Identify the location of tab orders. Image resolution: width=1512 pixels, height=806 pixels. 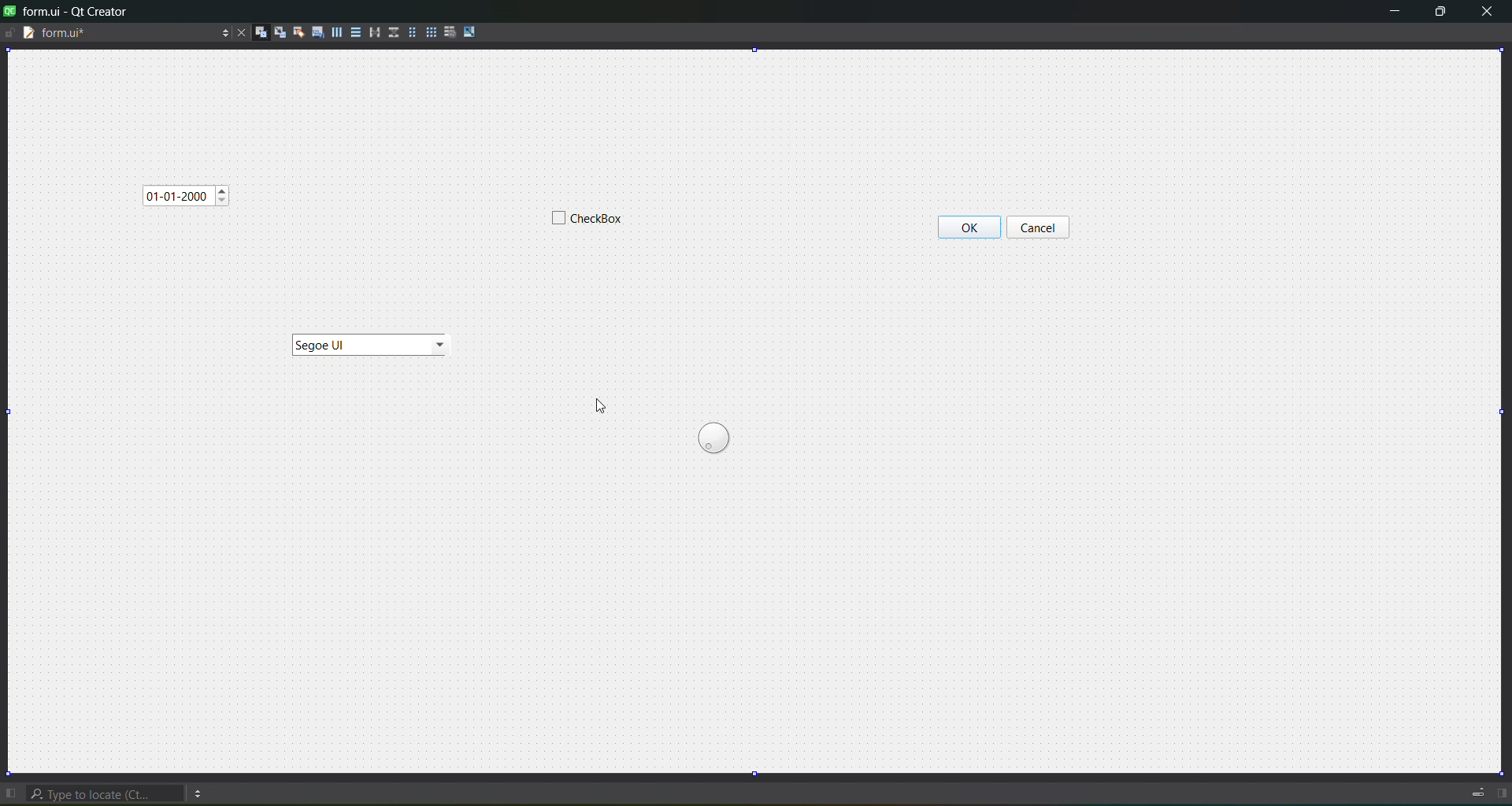
(313, 32).